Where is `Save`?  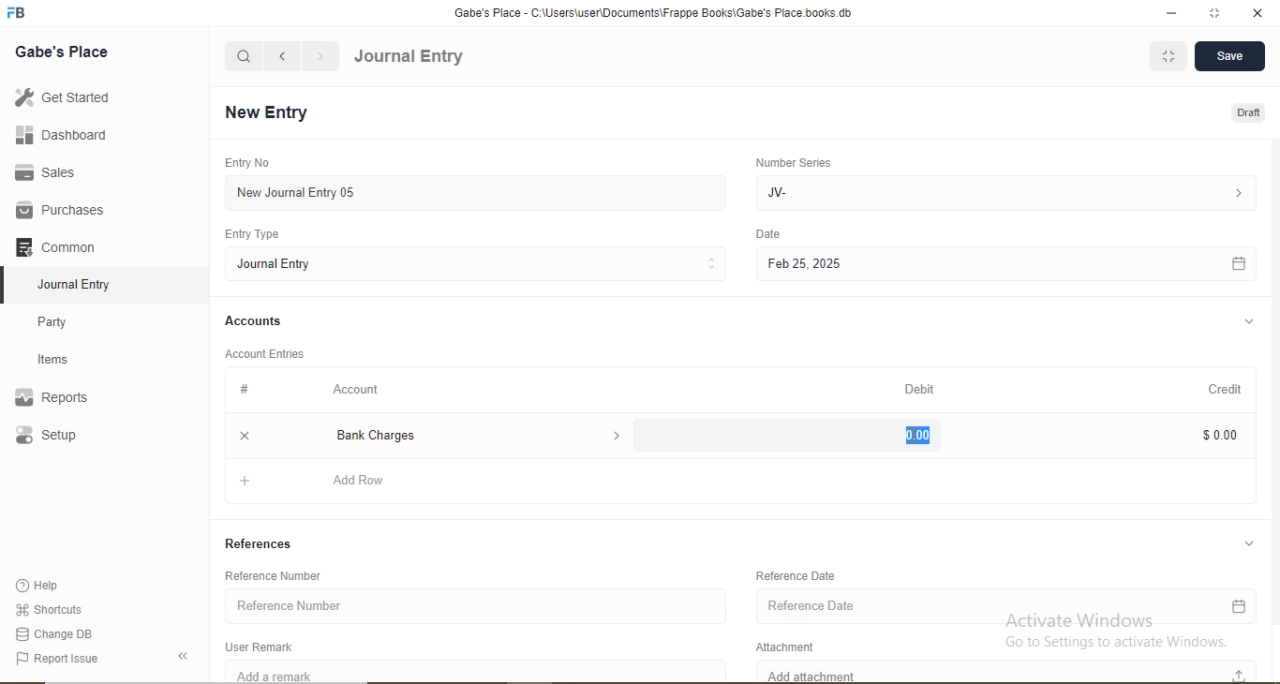
Save is located at coordinates (1228, 57).